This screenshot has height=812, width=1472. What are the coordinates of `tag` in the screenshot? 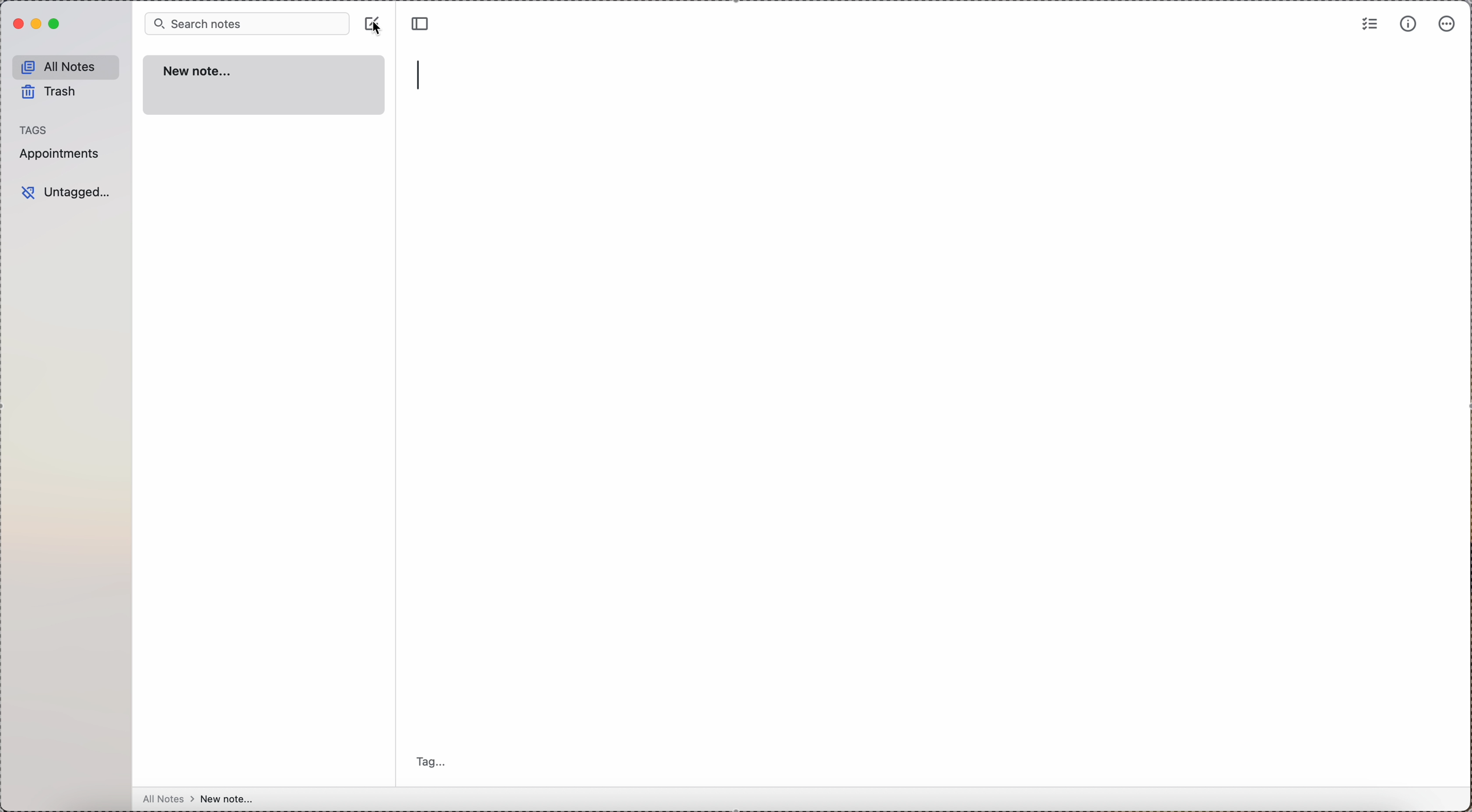 It's located at (433, 761).